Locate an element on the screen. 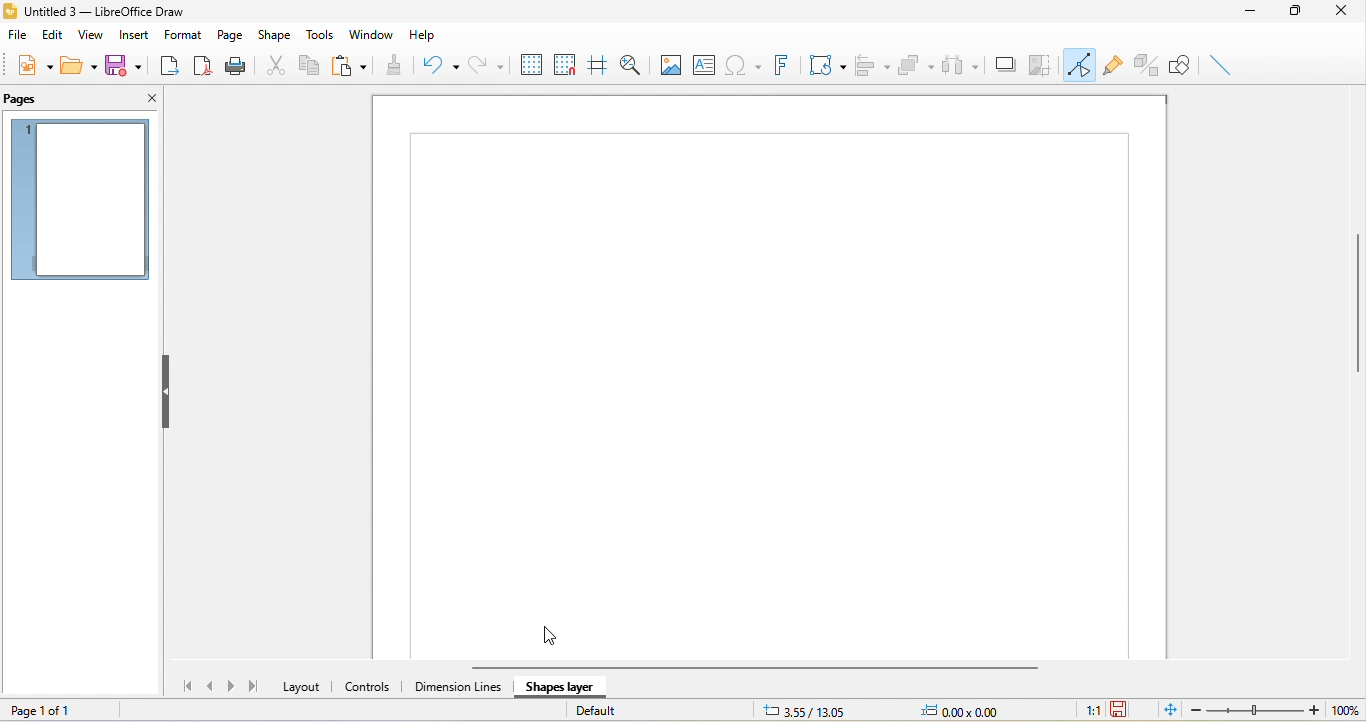 The height and width of the screenshot is (722, 1366). zoom and pan is located at coordinates (632, 65).